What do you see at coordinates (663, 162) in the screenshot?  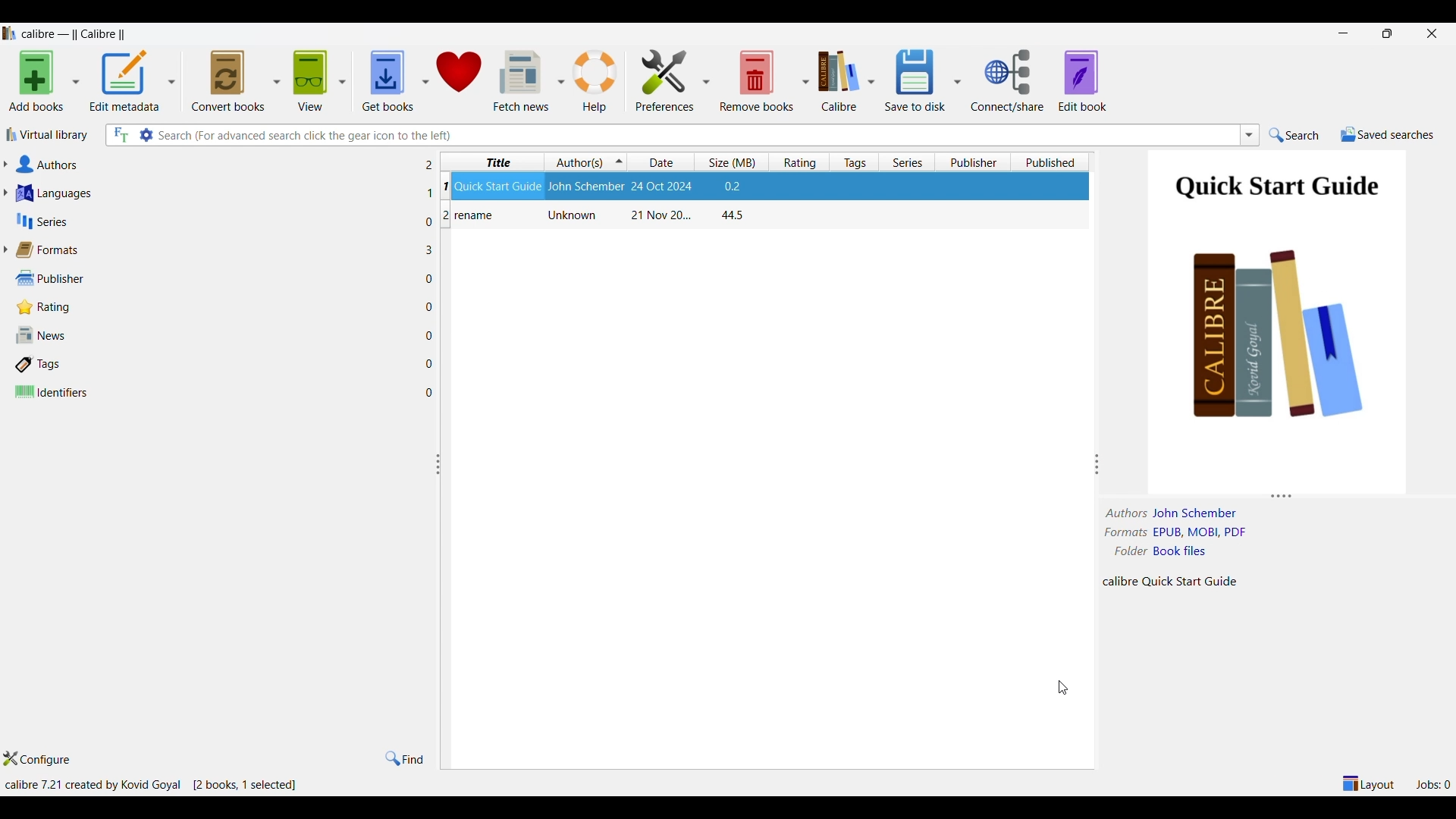 I see `Date column` at bounding box center [663, 162].